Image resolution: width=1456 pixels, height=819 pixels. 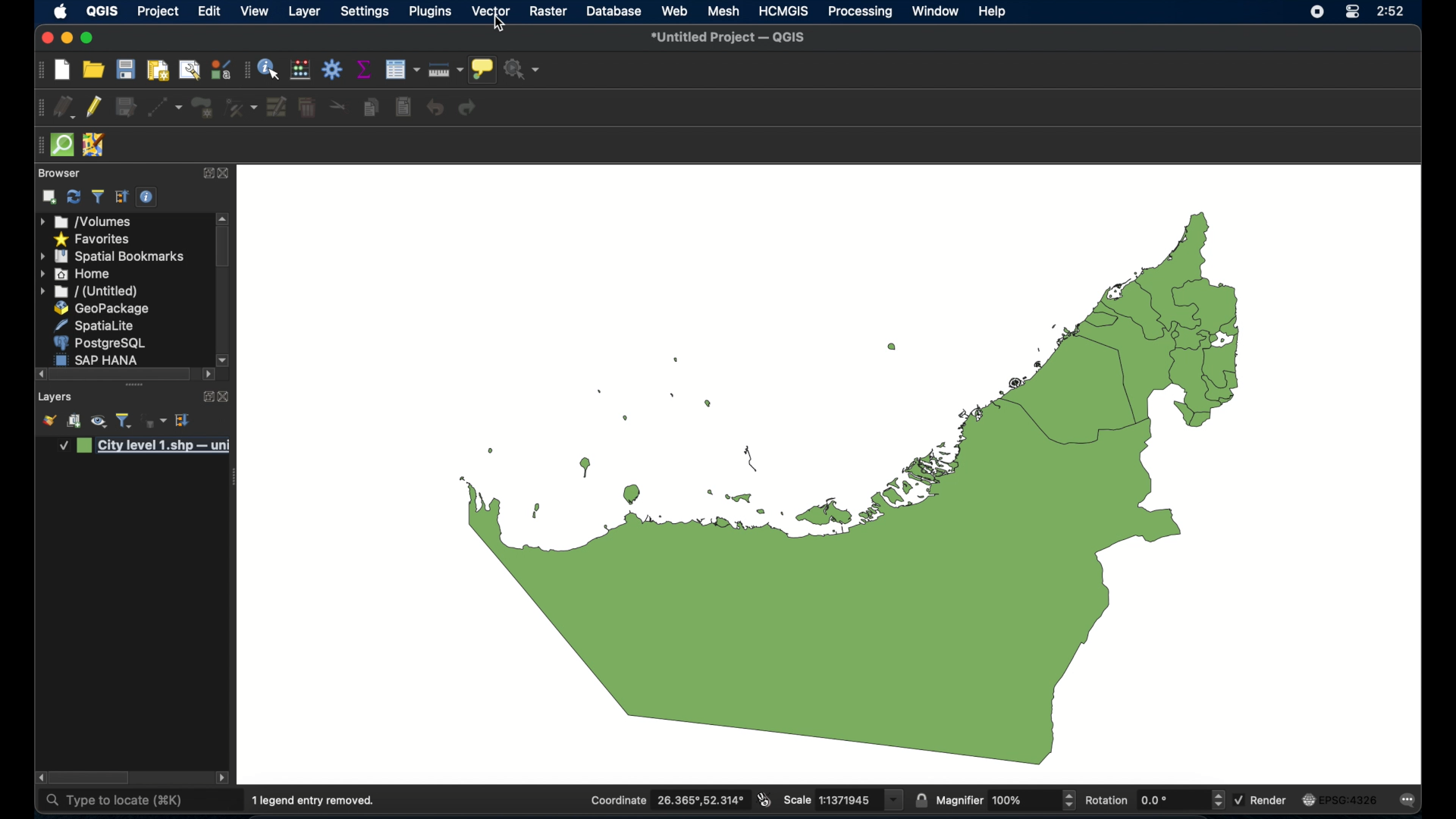 What do you see at coordinates (100, 359) in the screenshot?
I see `sap hana` at bounding box center [100, 359].